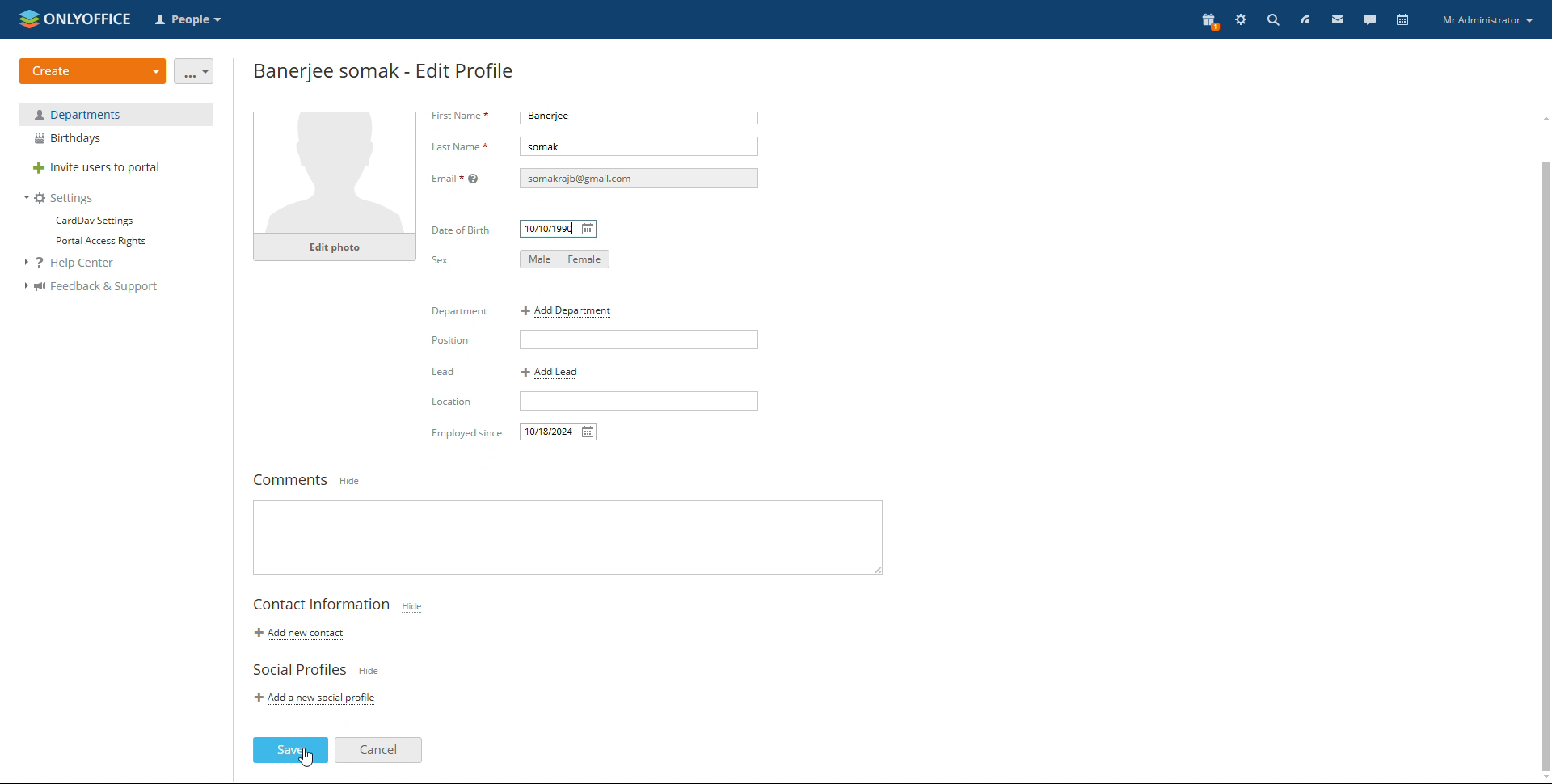 This screenshot has width=1552, height=784. What do you see at coordinates (352, 481) in the screenshot?
I see `Hide` at bounding box center [352, 481].